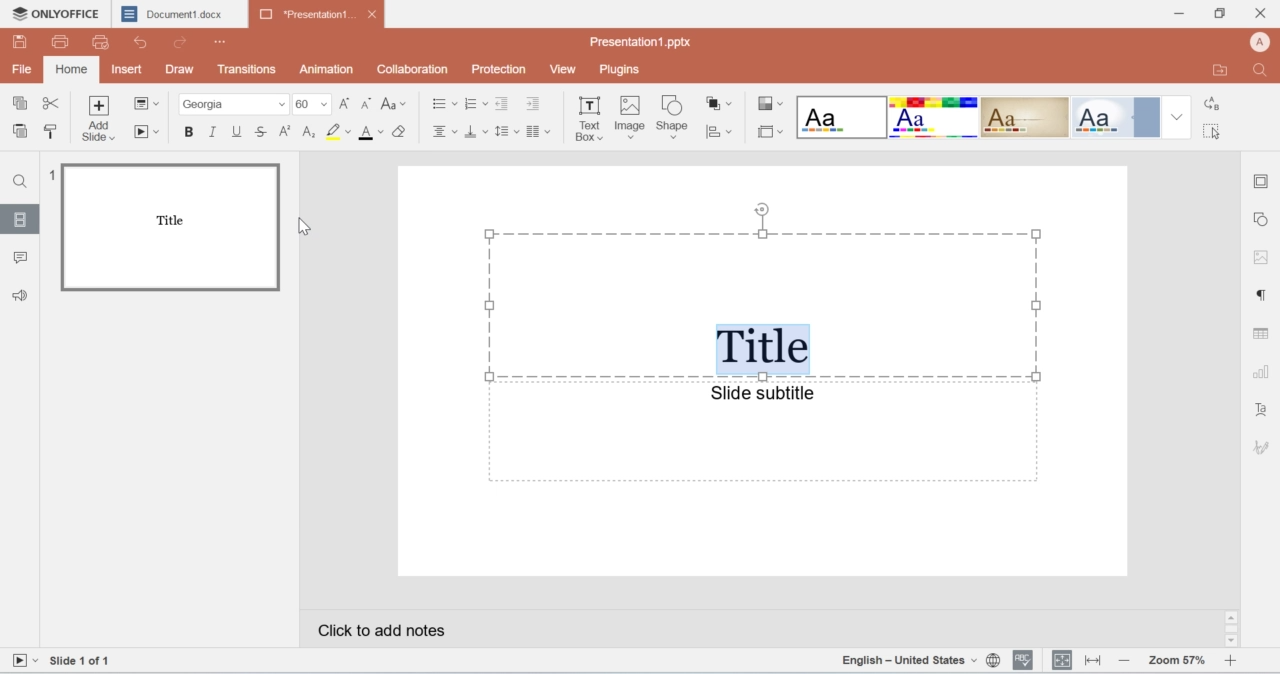  I want to click on cursor, so click(1214, 134).